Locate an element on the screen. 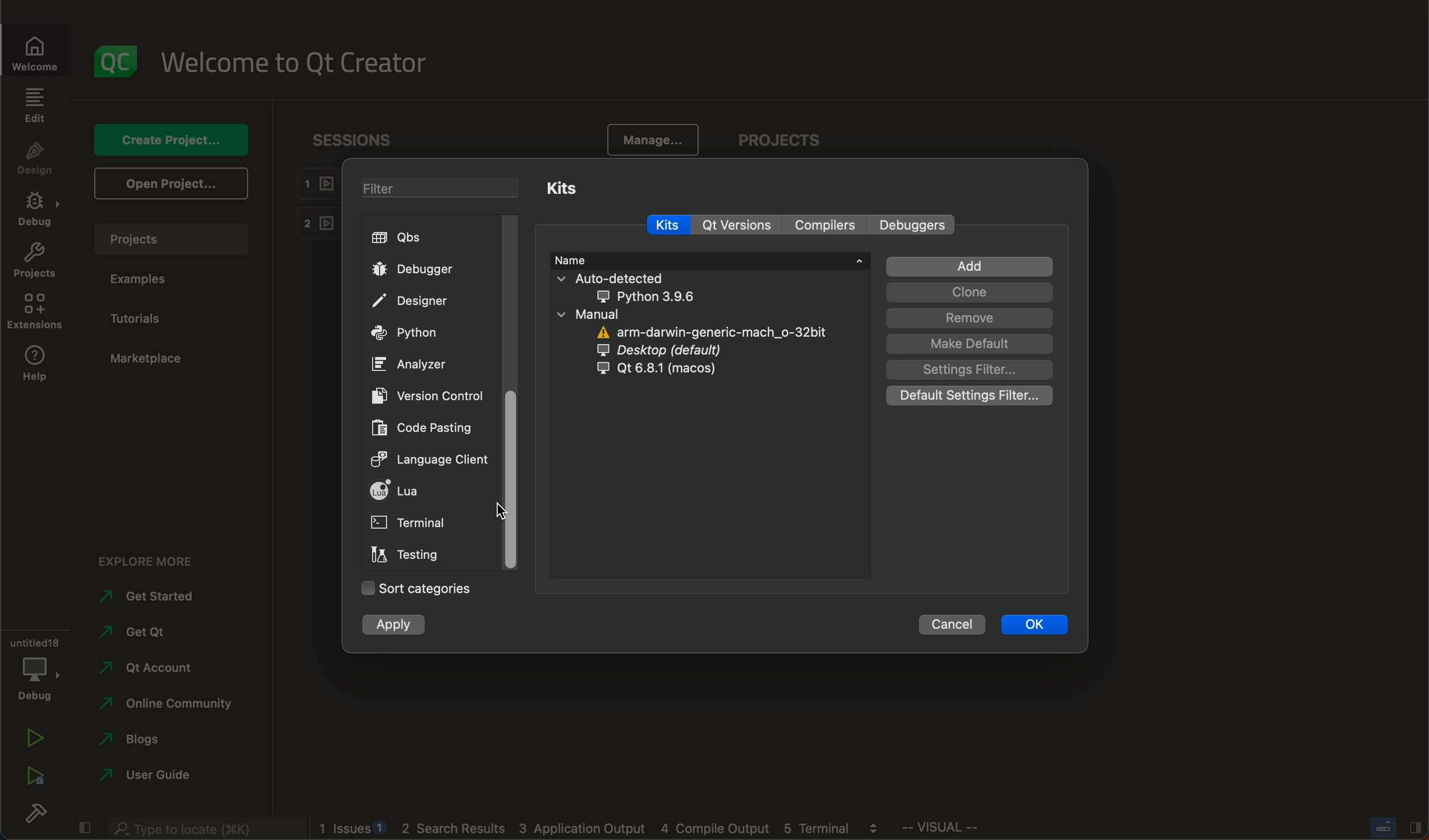 The image size is (1429, 840). desktop is located at coordinates (666, 352).